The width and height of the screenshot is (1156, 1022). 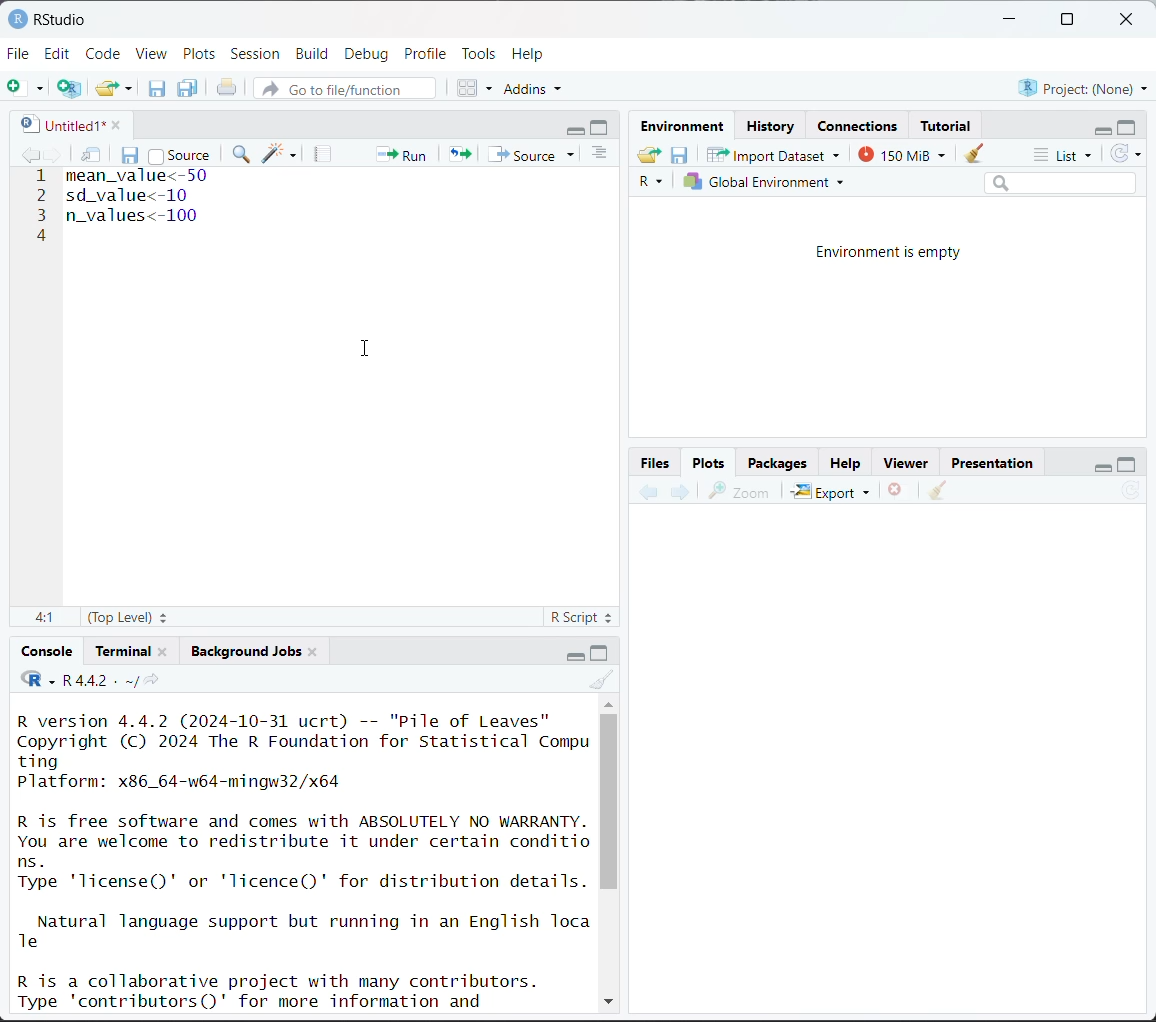 What do you see at coordinates (47, 18) in the screenshot?
I see `RStudio` at bounding box center [47, 18].